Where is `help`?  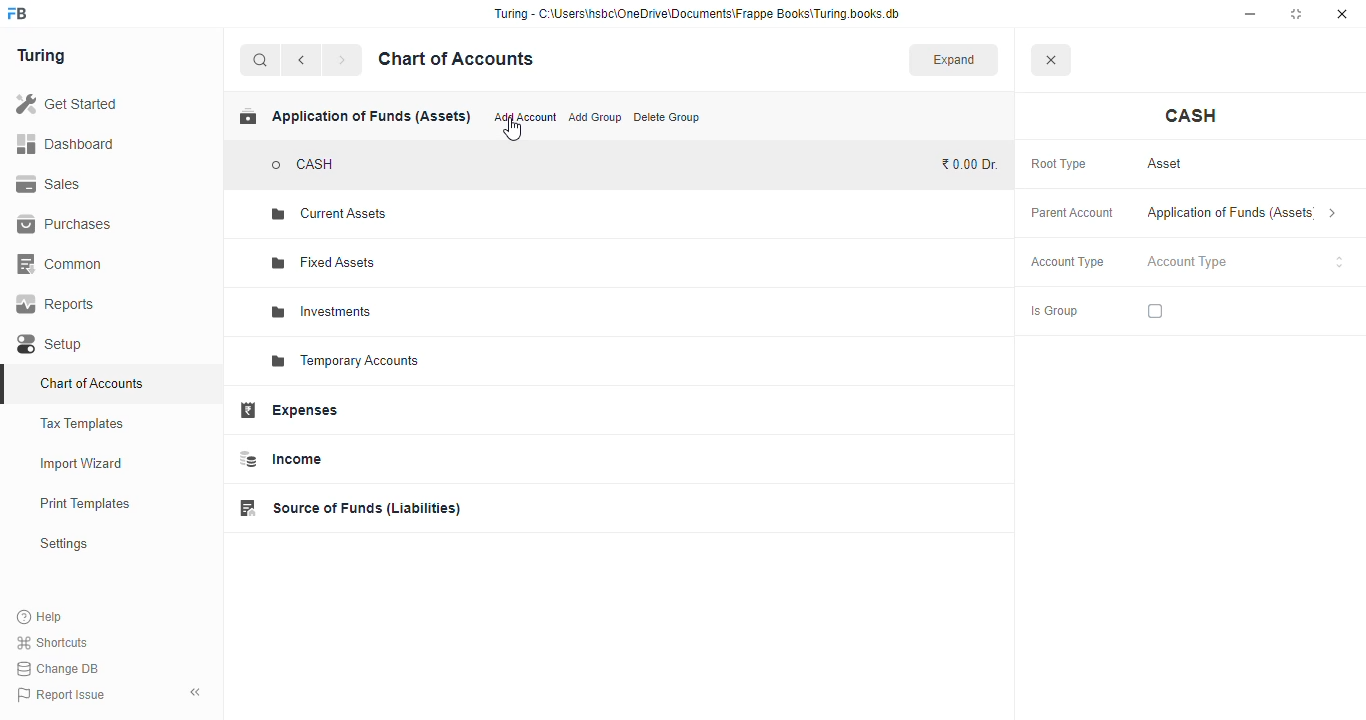 help is located at coordinates (40, 616).